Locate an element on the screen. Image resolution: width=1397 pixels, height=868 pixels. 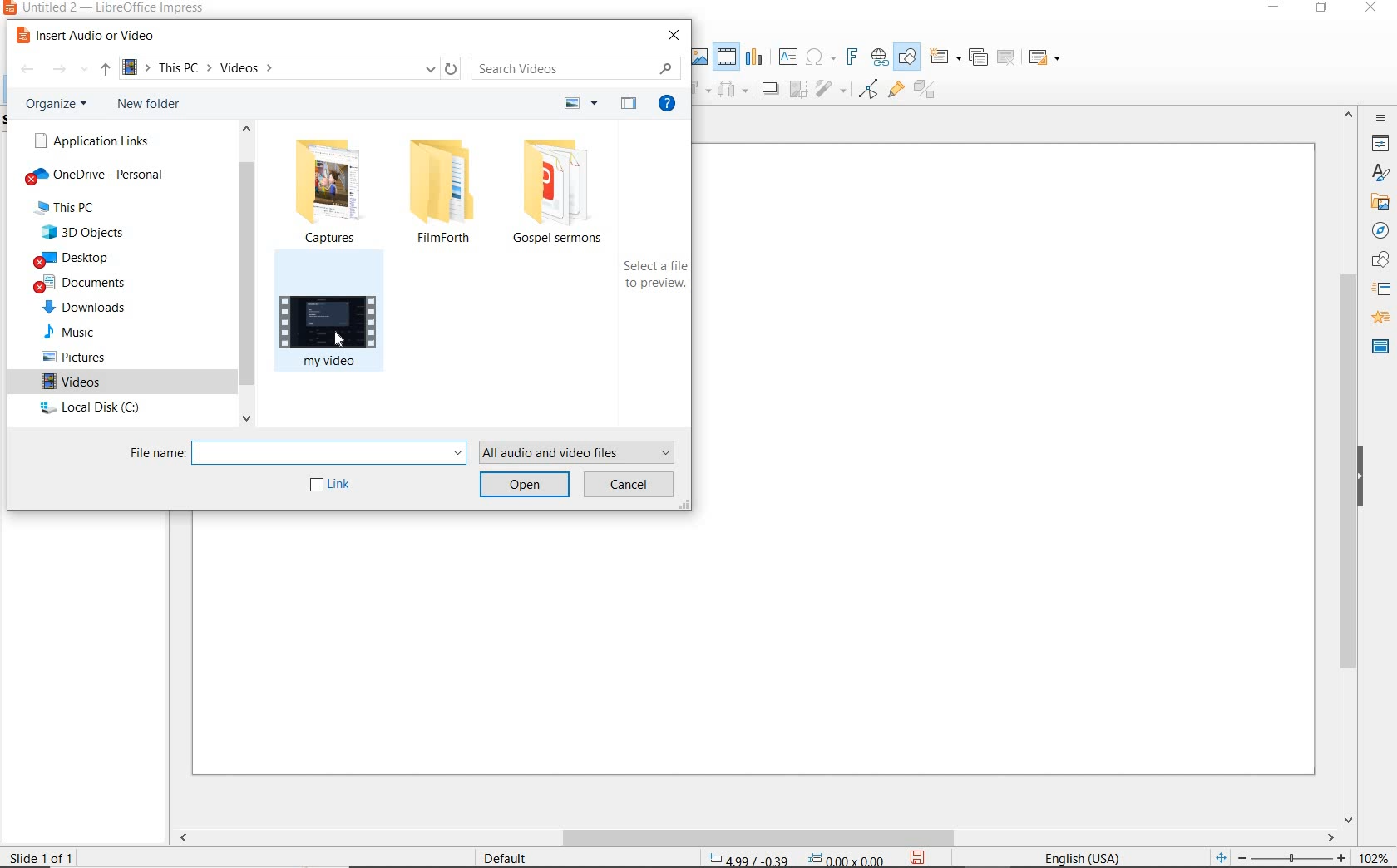
cancel is located at coordinates (631, 486).